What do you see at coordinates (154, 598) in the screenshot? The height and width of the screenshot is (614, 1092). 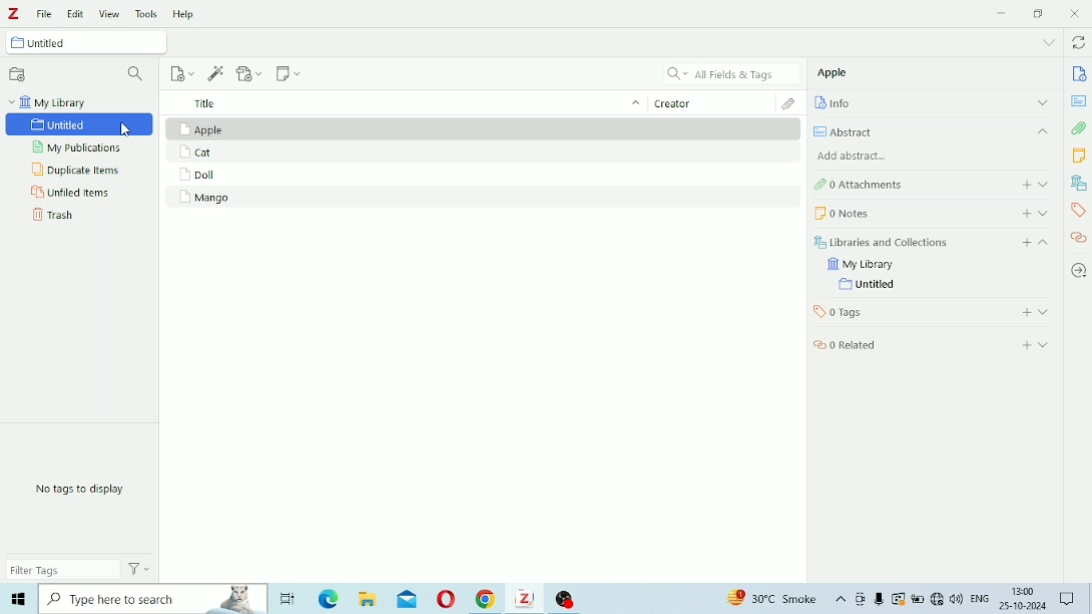 I see `` at bounding box center [154, 598].